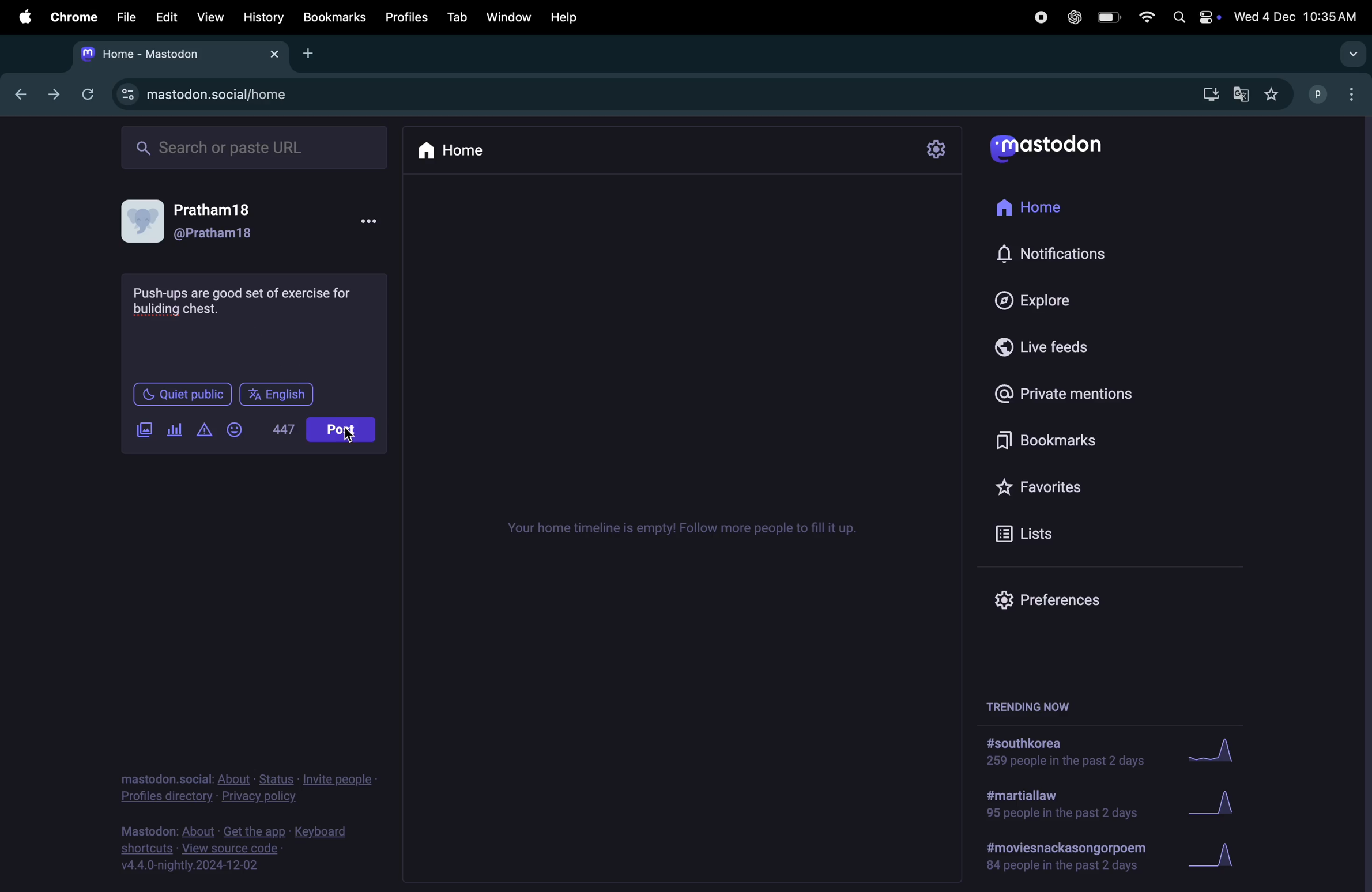 This screenshot has width=1372, height=892. I want to click on Files, so click(126, 18).